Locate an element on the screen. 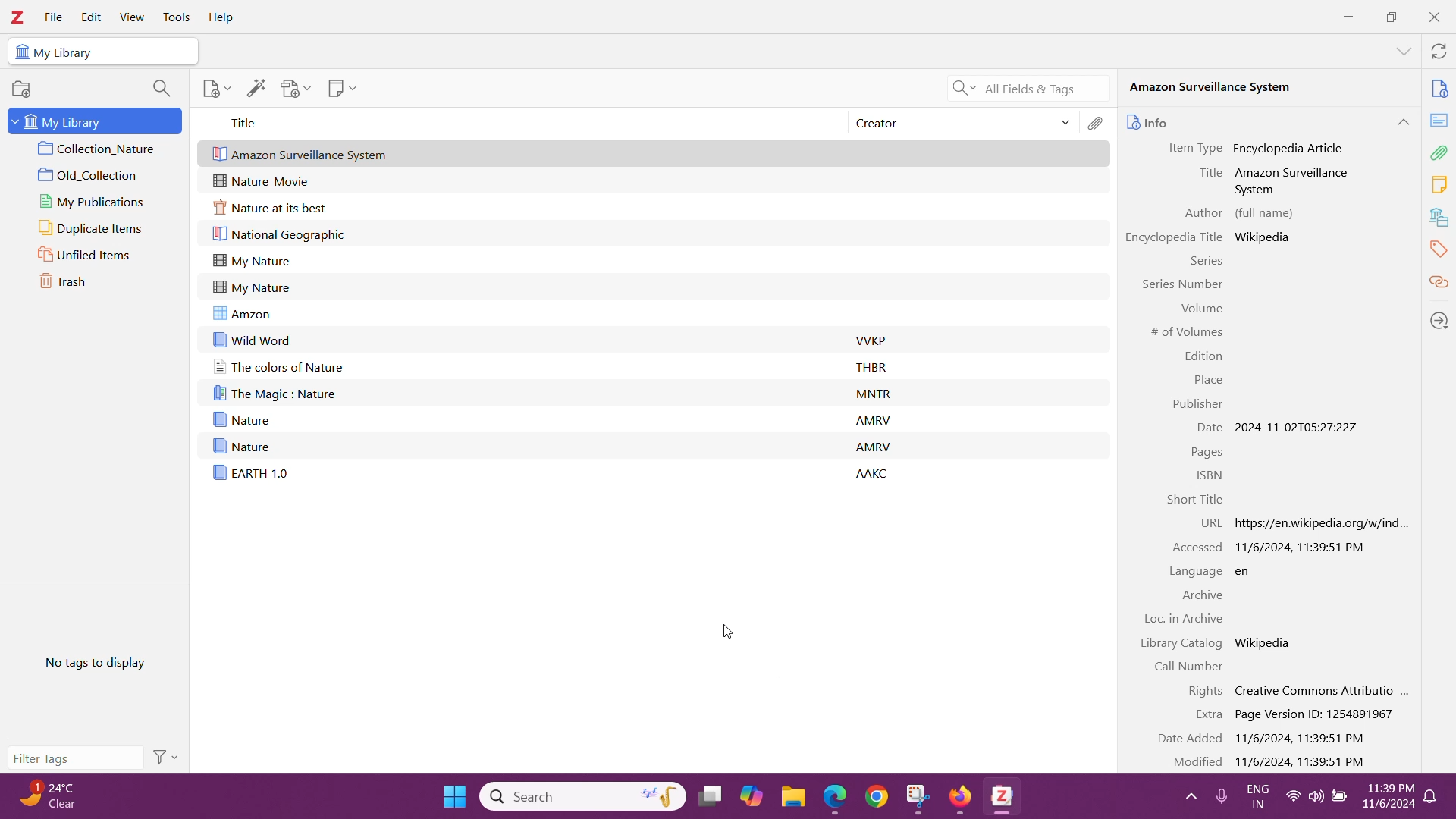  National Geographic is located at coordinates (278, 234).